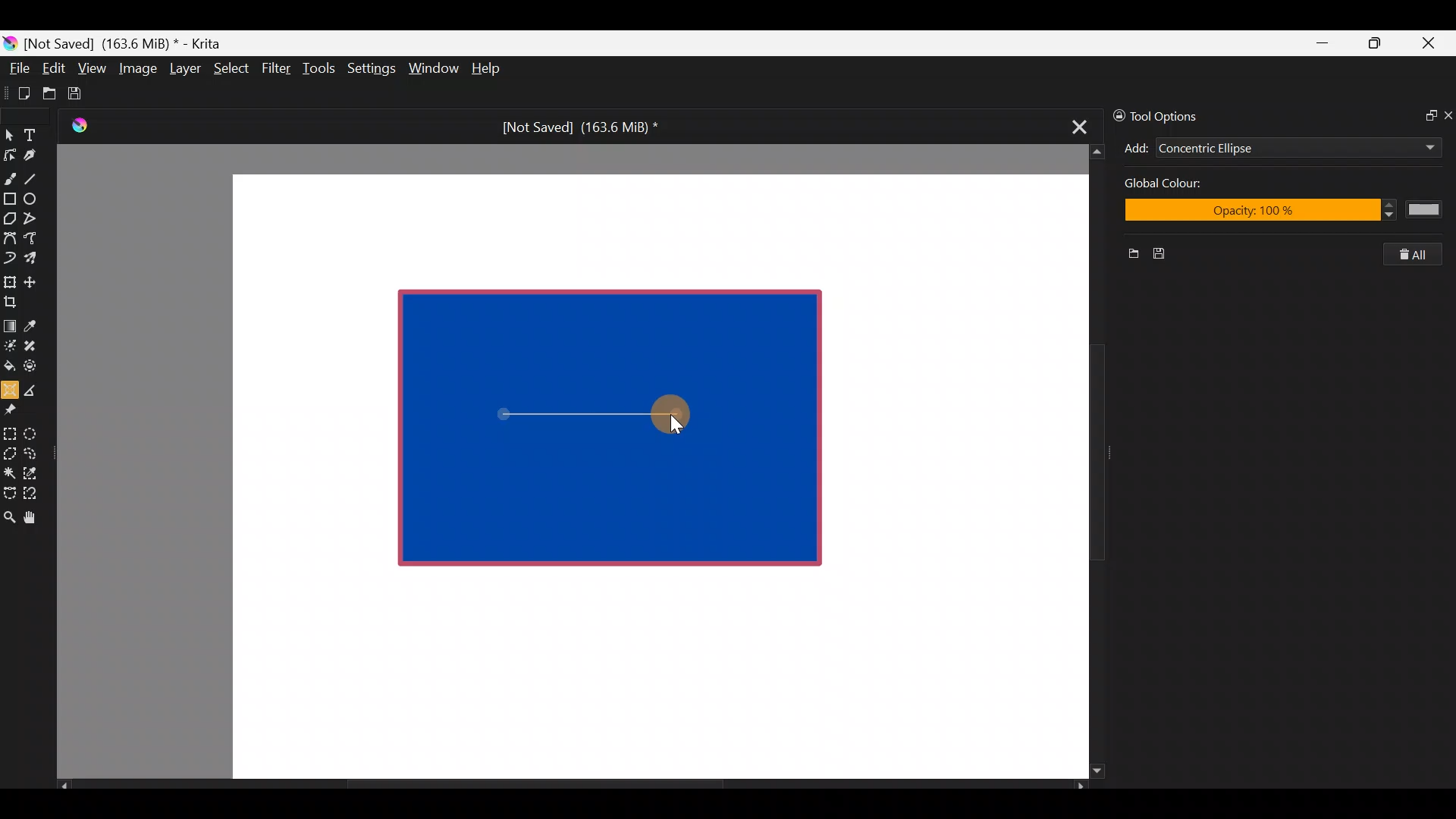 Image resolution: width=1456 pixels, height=819 pixels. Describe the element at coordinates (1086, 462) in the screenshot. I see `Scroll bar` at that location.